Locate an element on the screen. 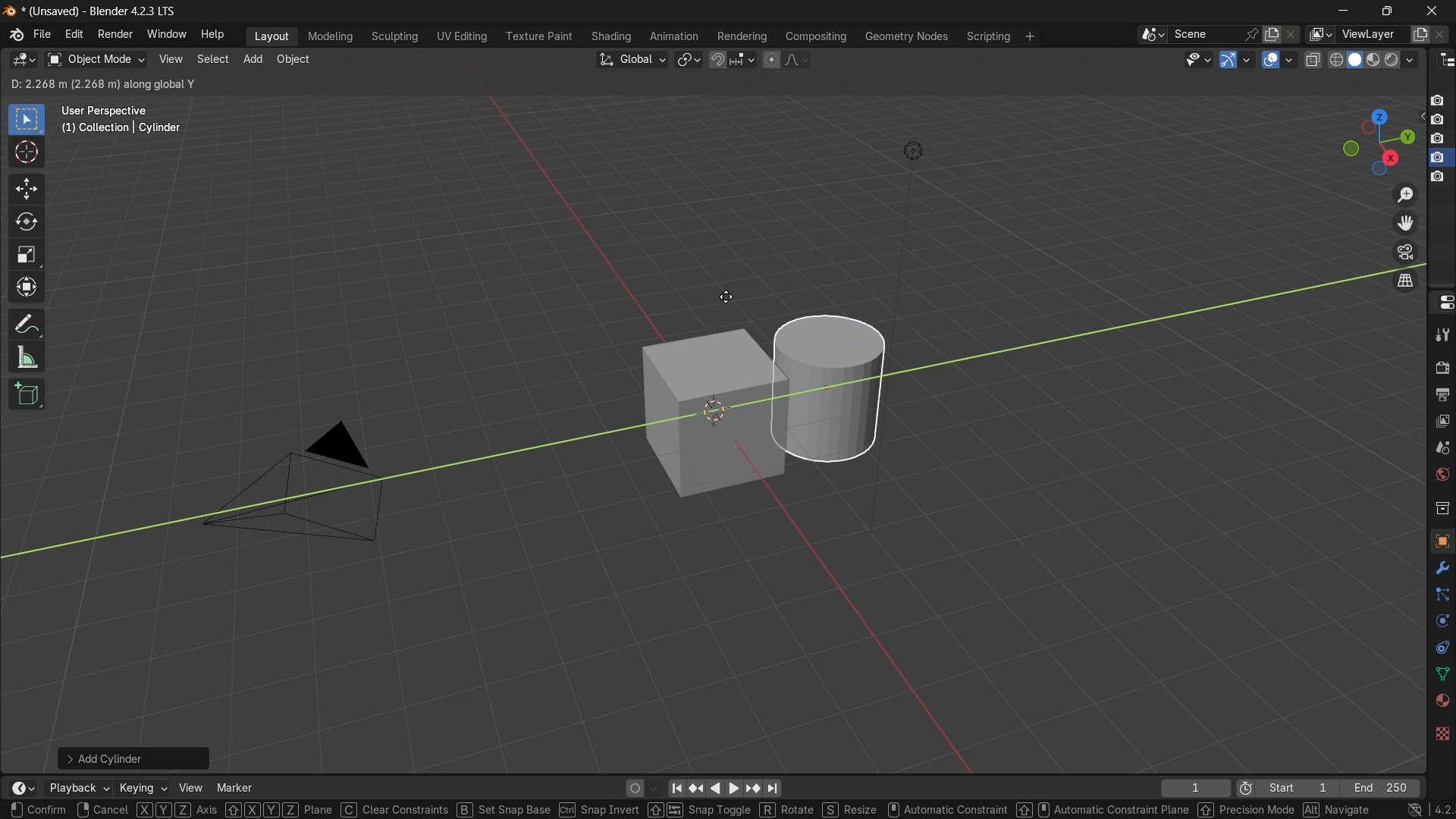  auto keyframing is located at coordinates (657, 789).